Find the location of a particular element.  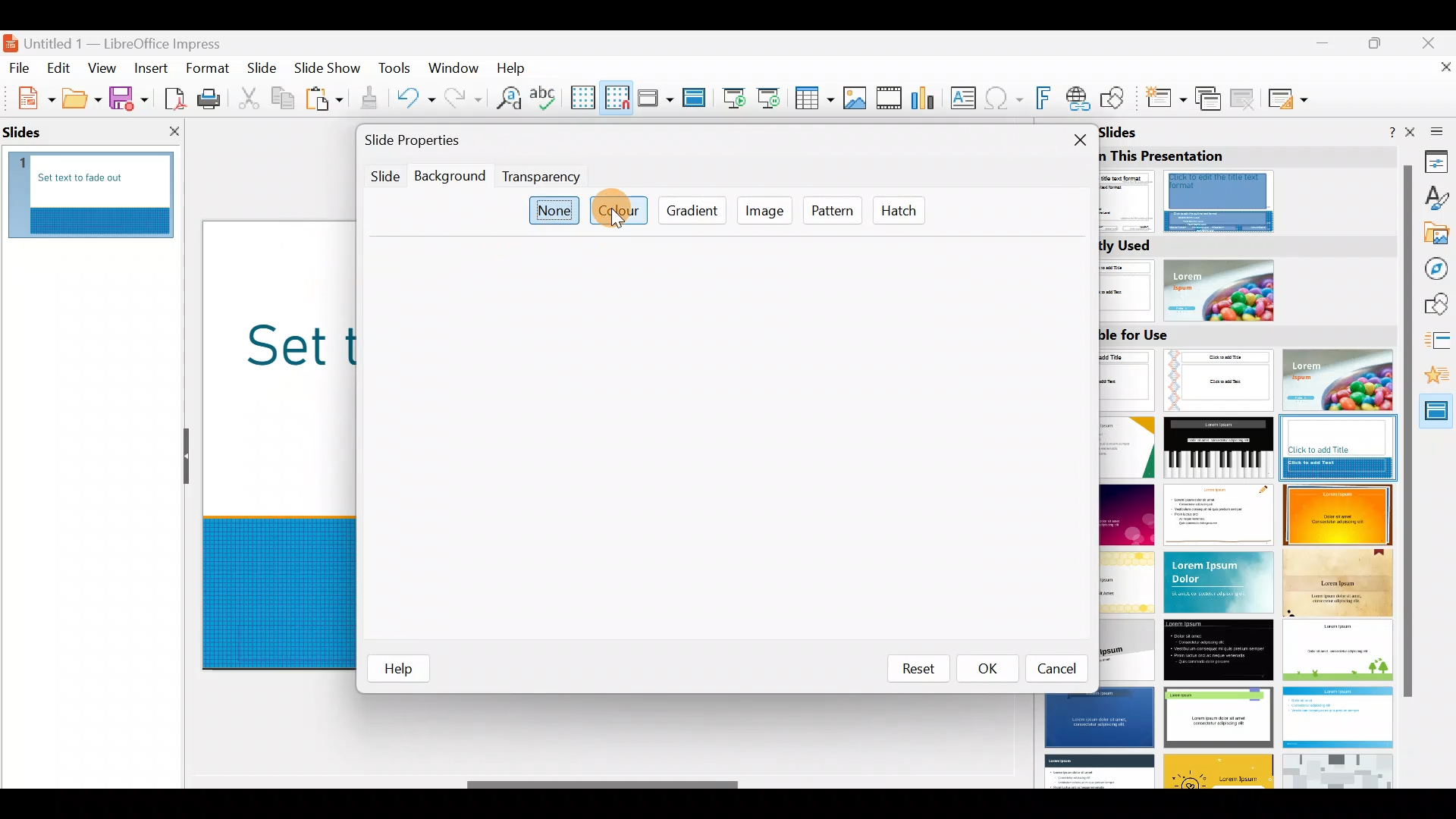

View is located at coordinates (103, 67).